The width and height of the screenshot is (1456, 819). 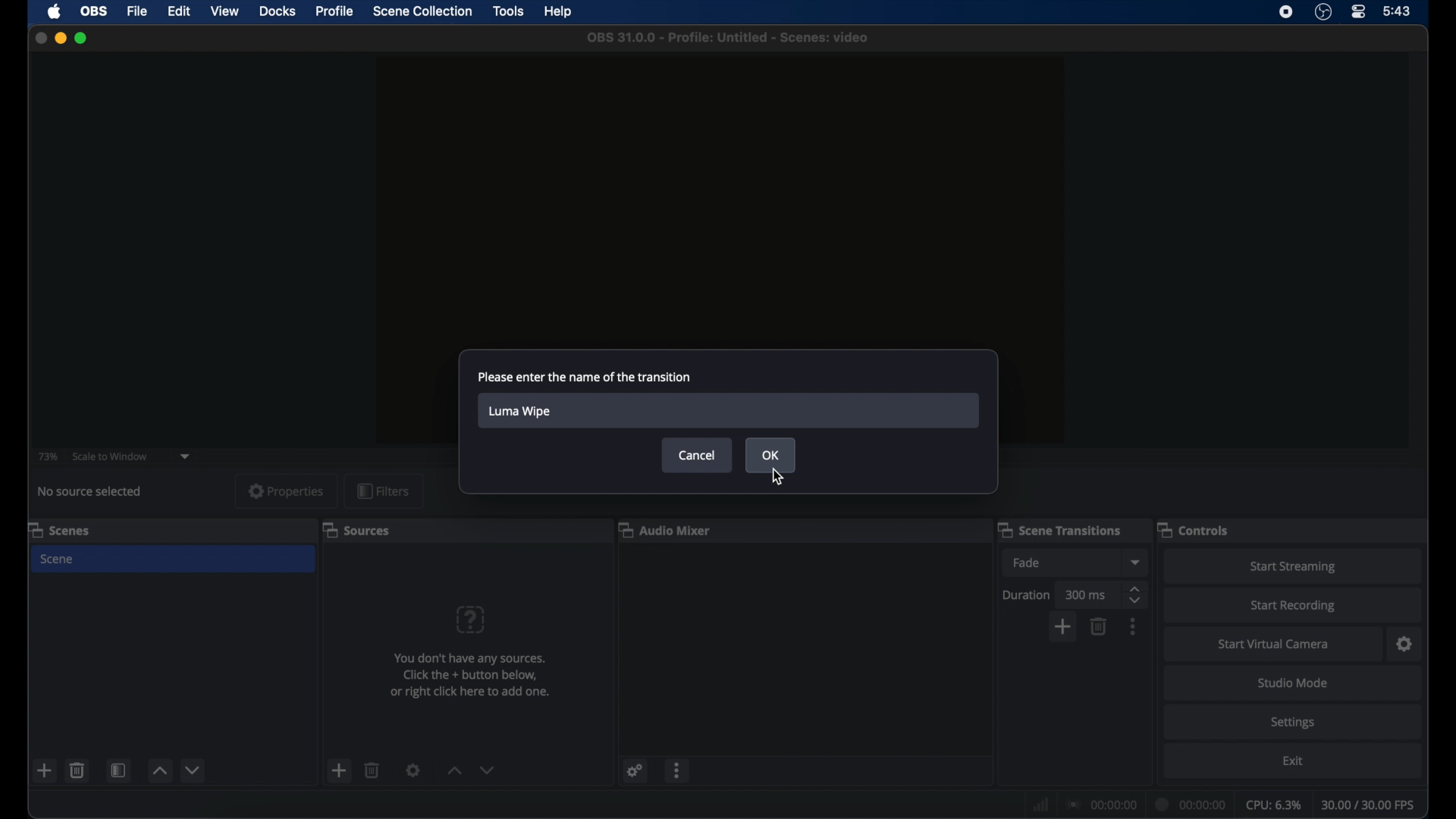 I want to click on info, so click(x=472, y=675).